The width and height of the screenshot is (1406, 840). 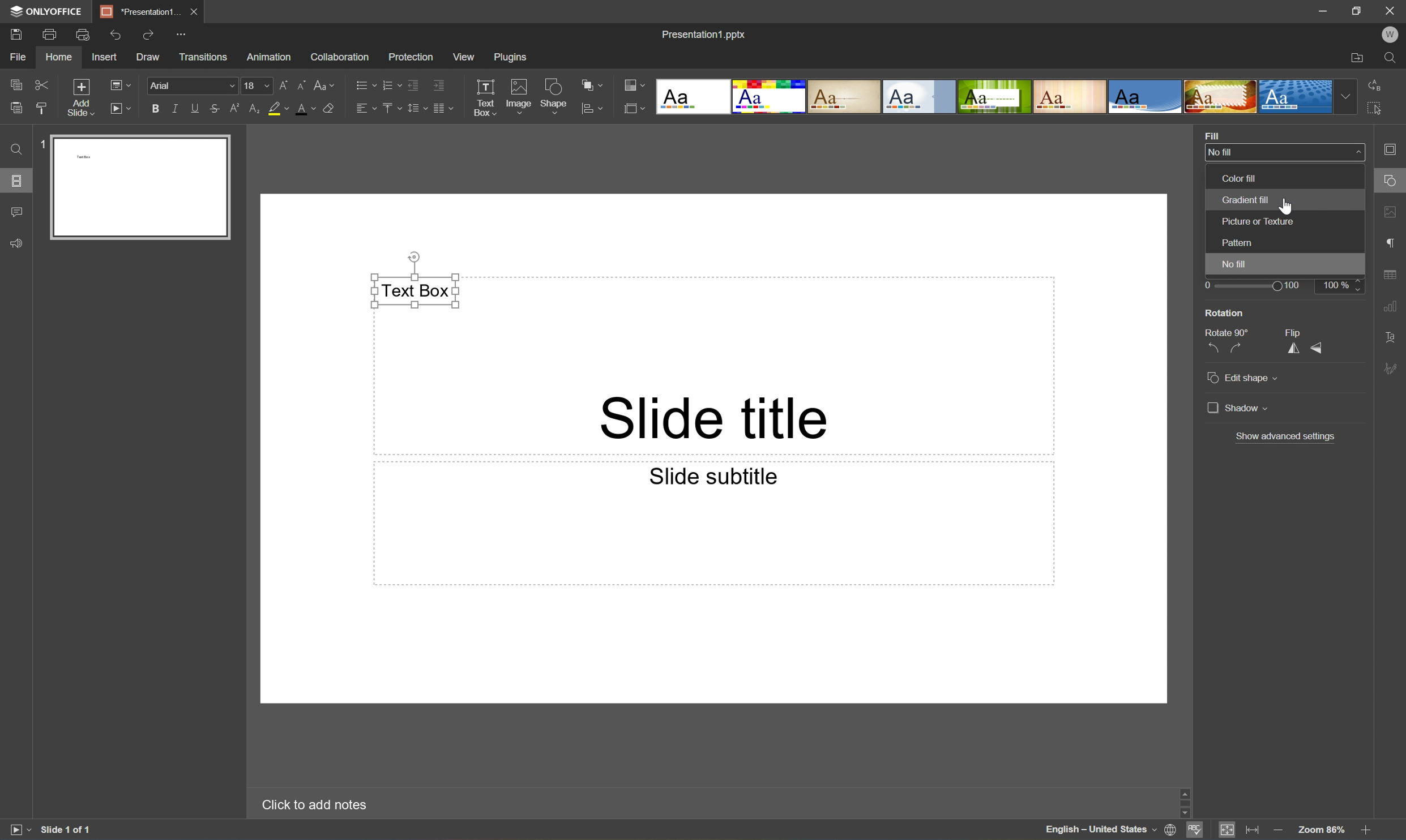 What do you see at coordinates (1231, 265) in the screenshot?
I see `No fill` at bounding box center [1231, 265].